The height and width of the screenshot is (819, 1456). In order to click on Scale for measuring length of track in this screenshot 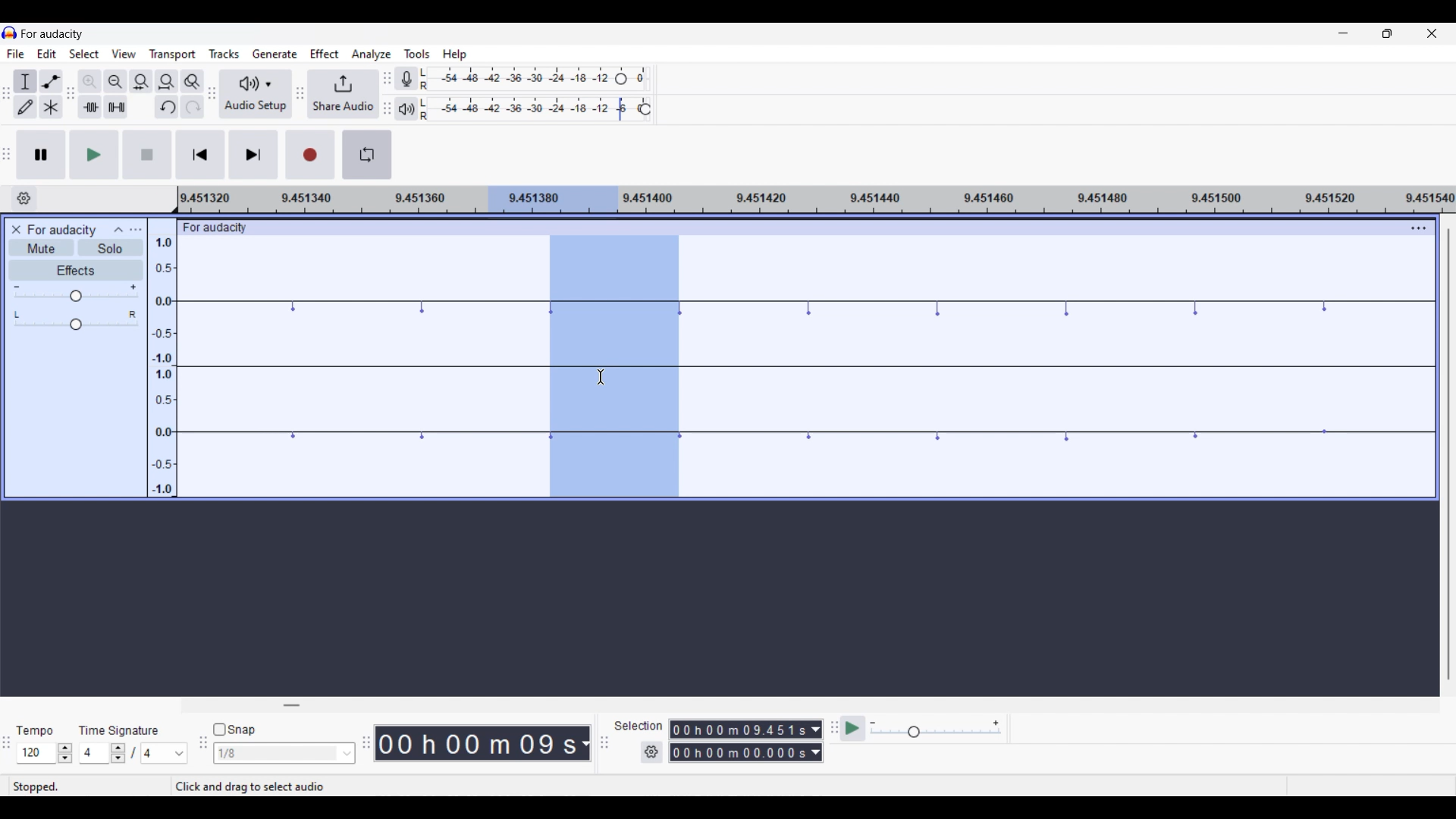, I will do `click(817, 199)`.